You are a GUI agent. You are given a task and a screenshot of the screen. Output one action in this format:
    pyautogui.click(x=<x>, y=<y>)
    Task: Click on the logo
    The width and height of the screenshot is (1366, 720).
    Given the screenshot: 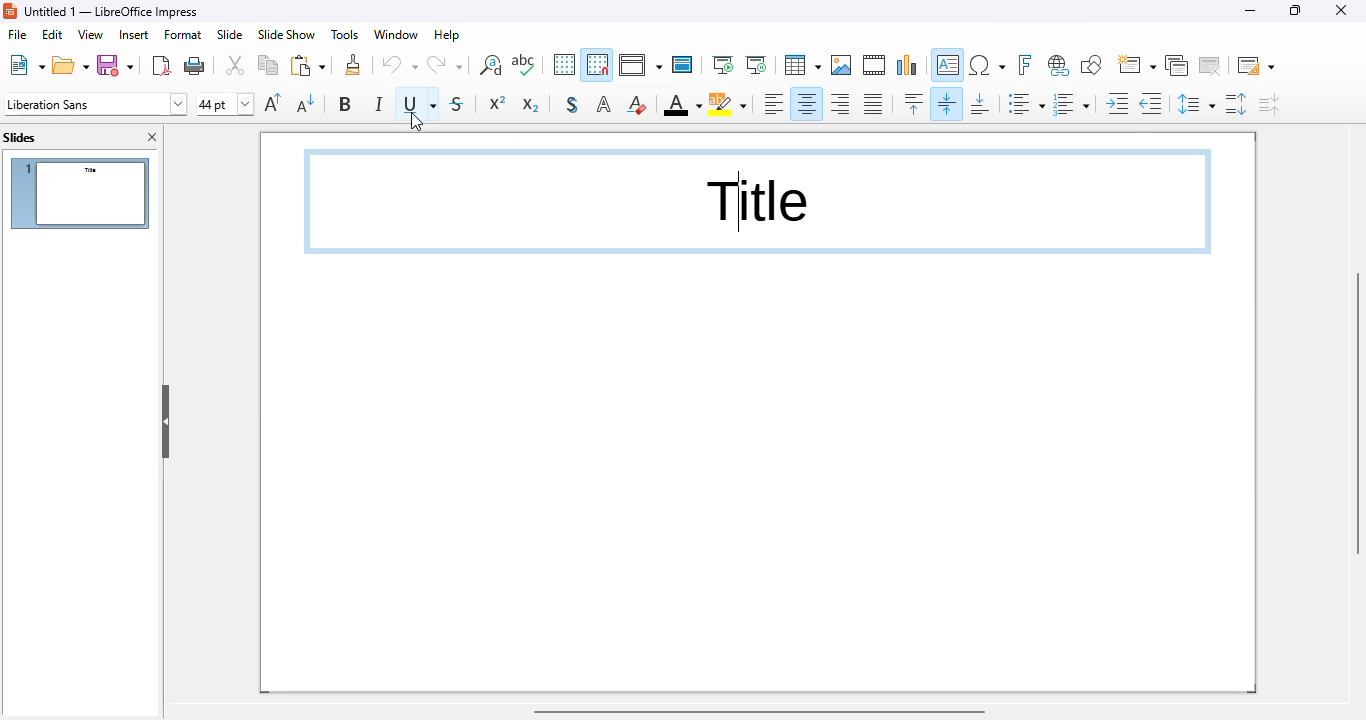 What is the action you would take?
    pyautogui.click(x=10, y=11)
    